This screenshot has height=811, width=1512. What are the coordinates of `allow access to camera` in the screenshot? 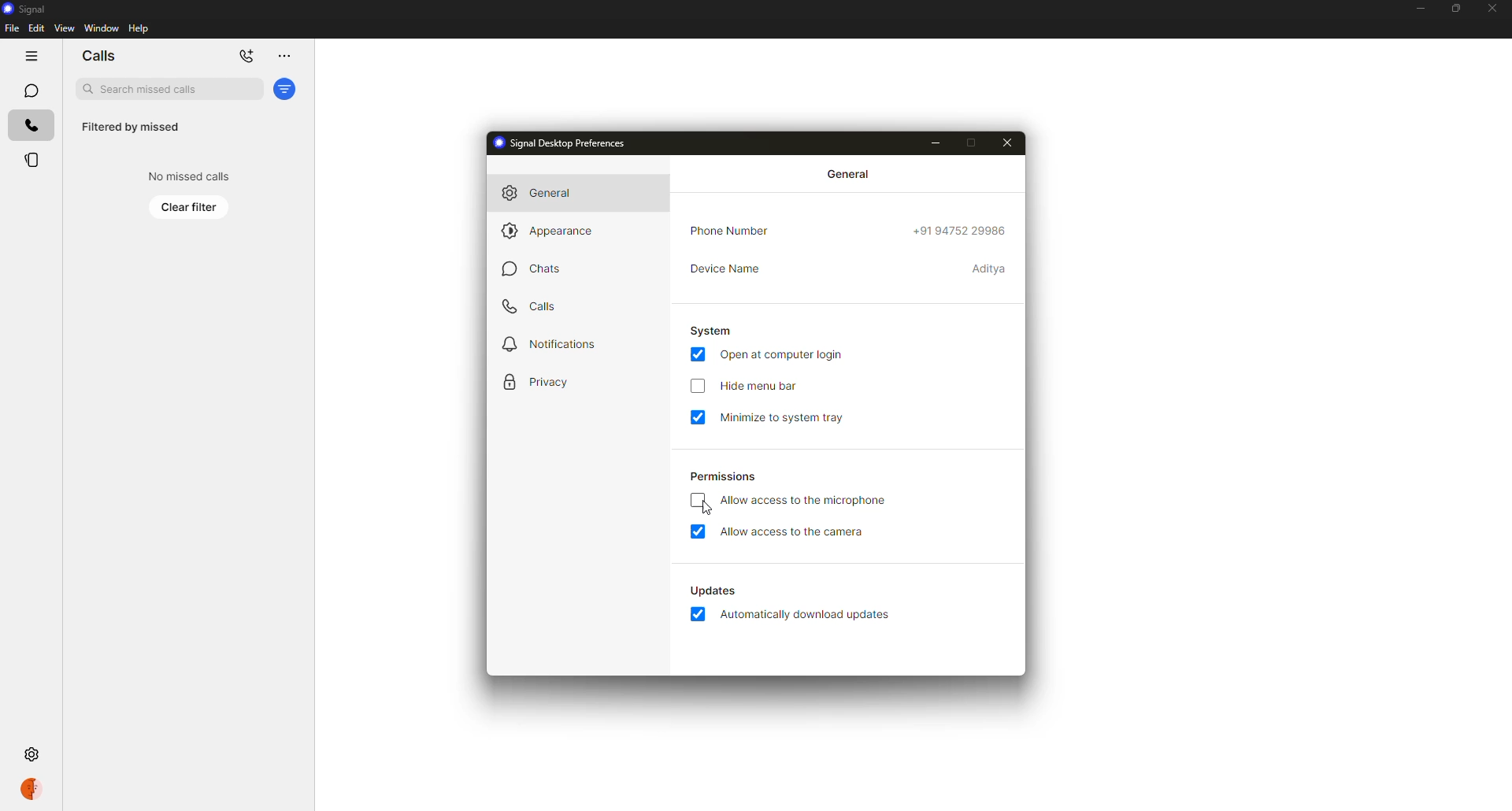 It's located at (795, 531).